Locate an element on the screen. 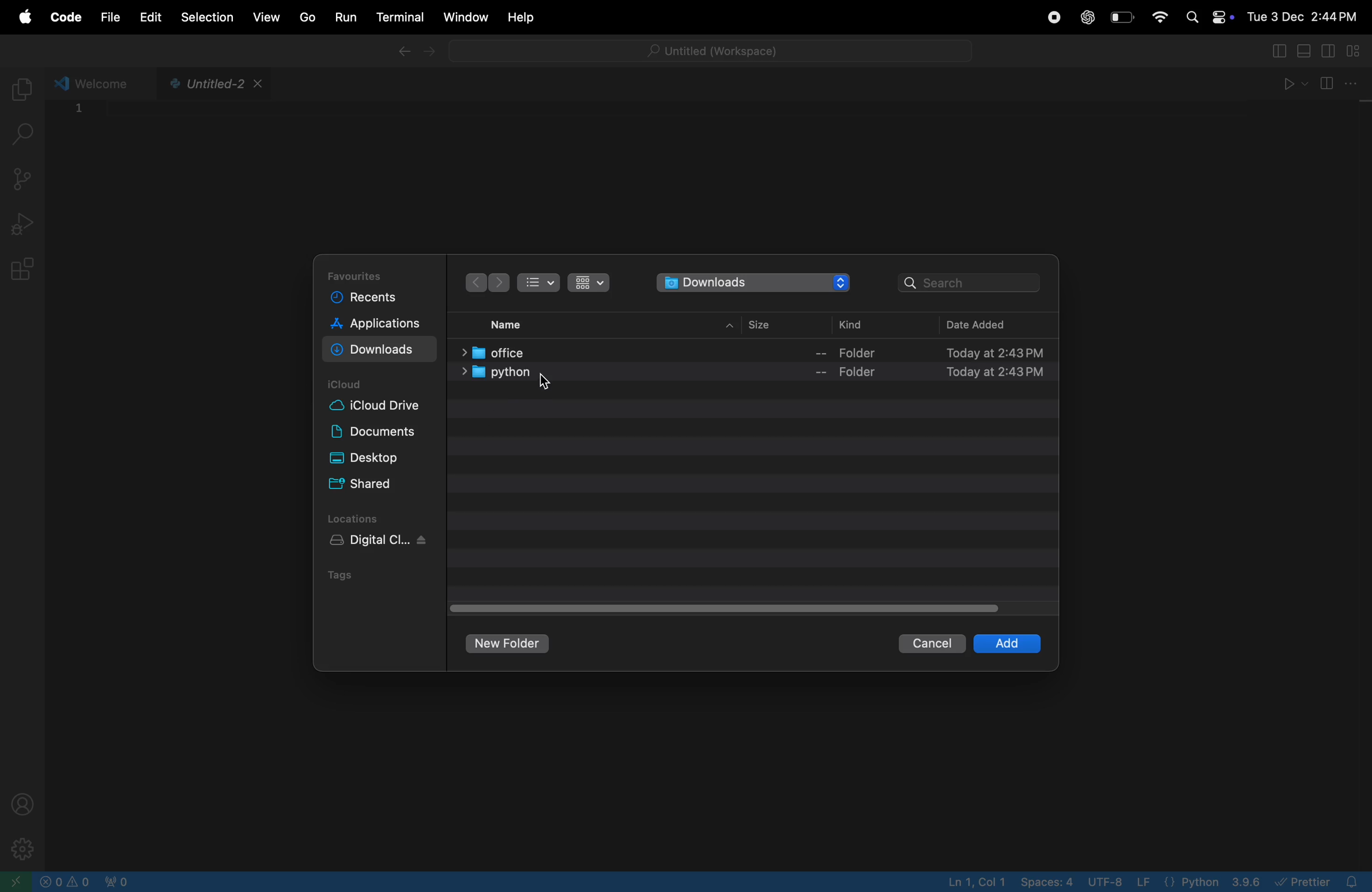 This screenshot has height=892, width=1372. backwards is located at coordinates (474, 281).